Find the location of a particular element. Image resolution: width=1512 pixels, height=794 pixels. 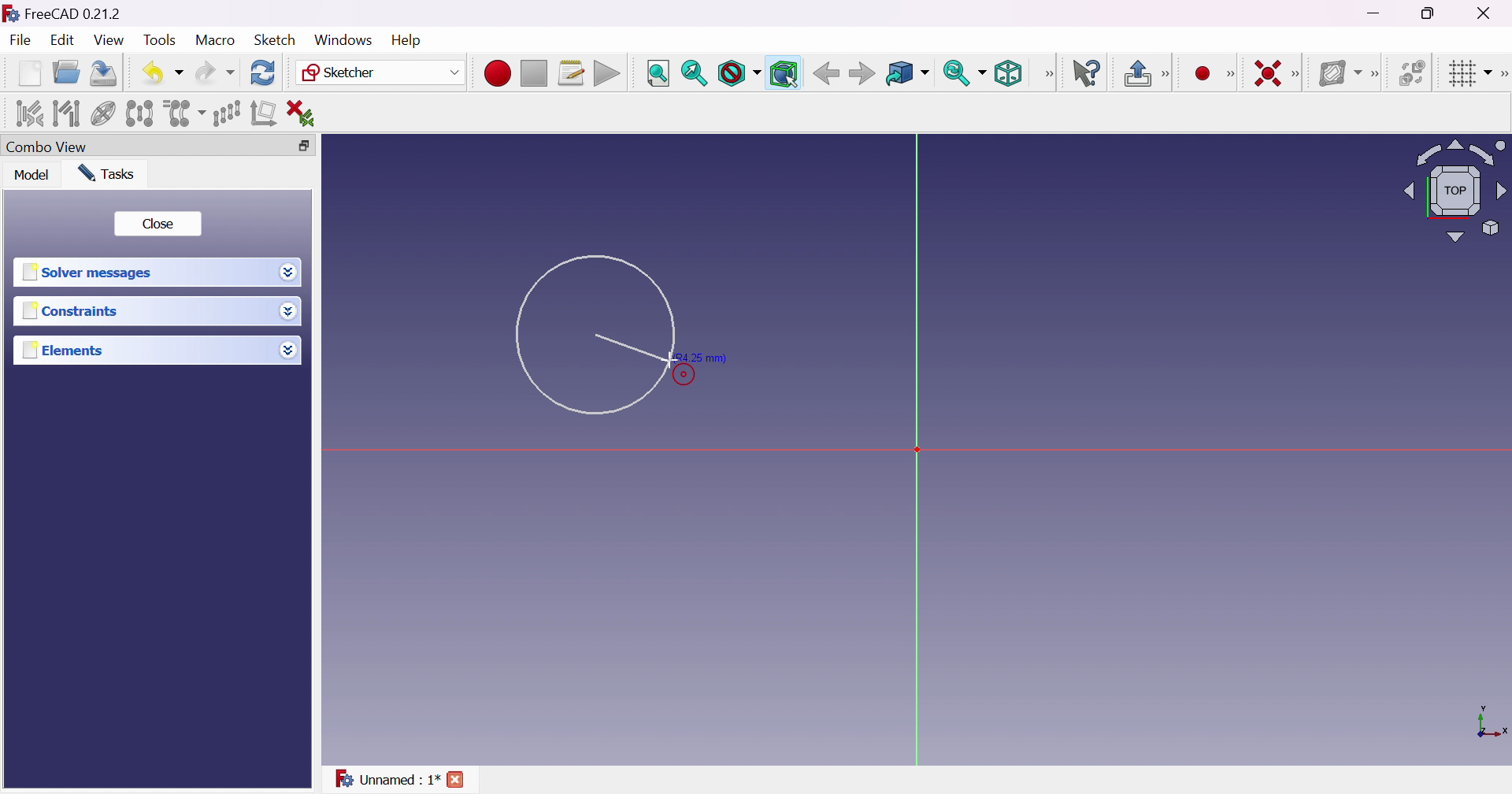

Help is located at coordinates (404, 40).